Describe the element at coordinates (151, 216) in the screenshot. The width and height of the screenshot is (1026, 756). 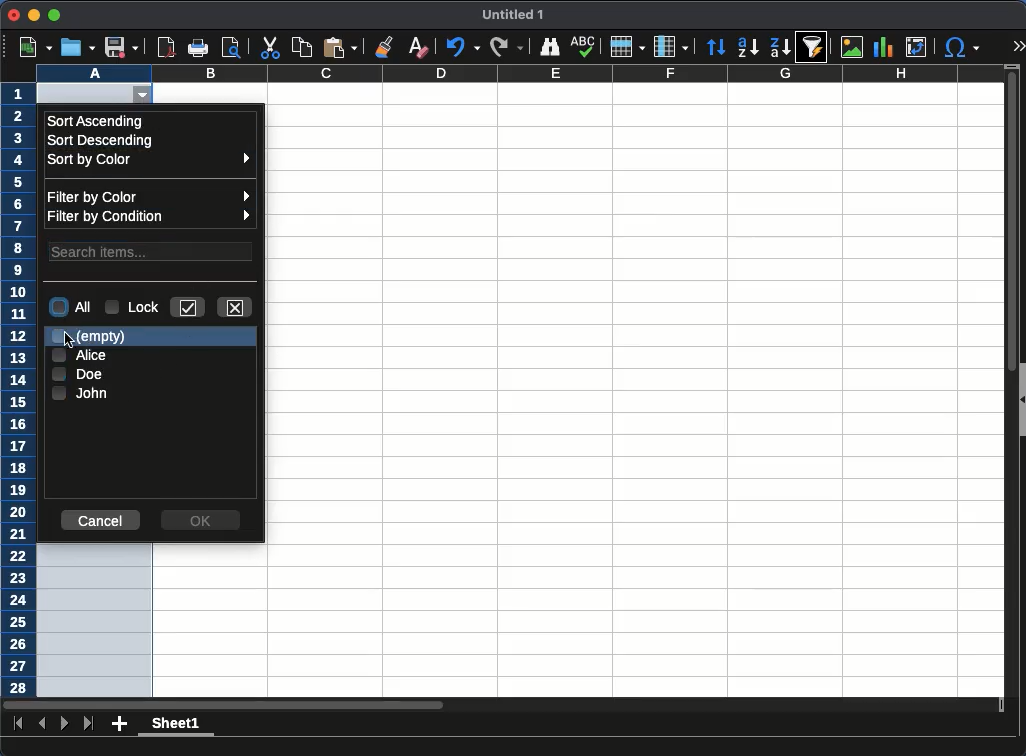
I see `filter by condition` at that location.